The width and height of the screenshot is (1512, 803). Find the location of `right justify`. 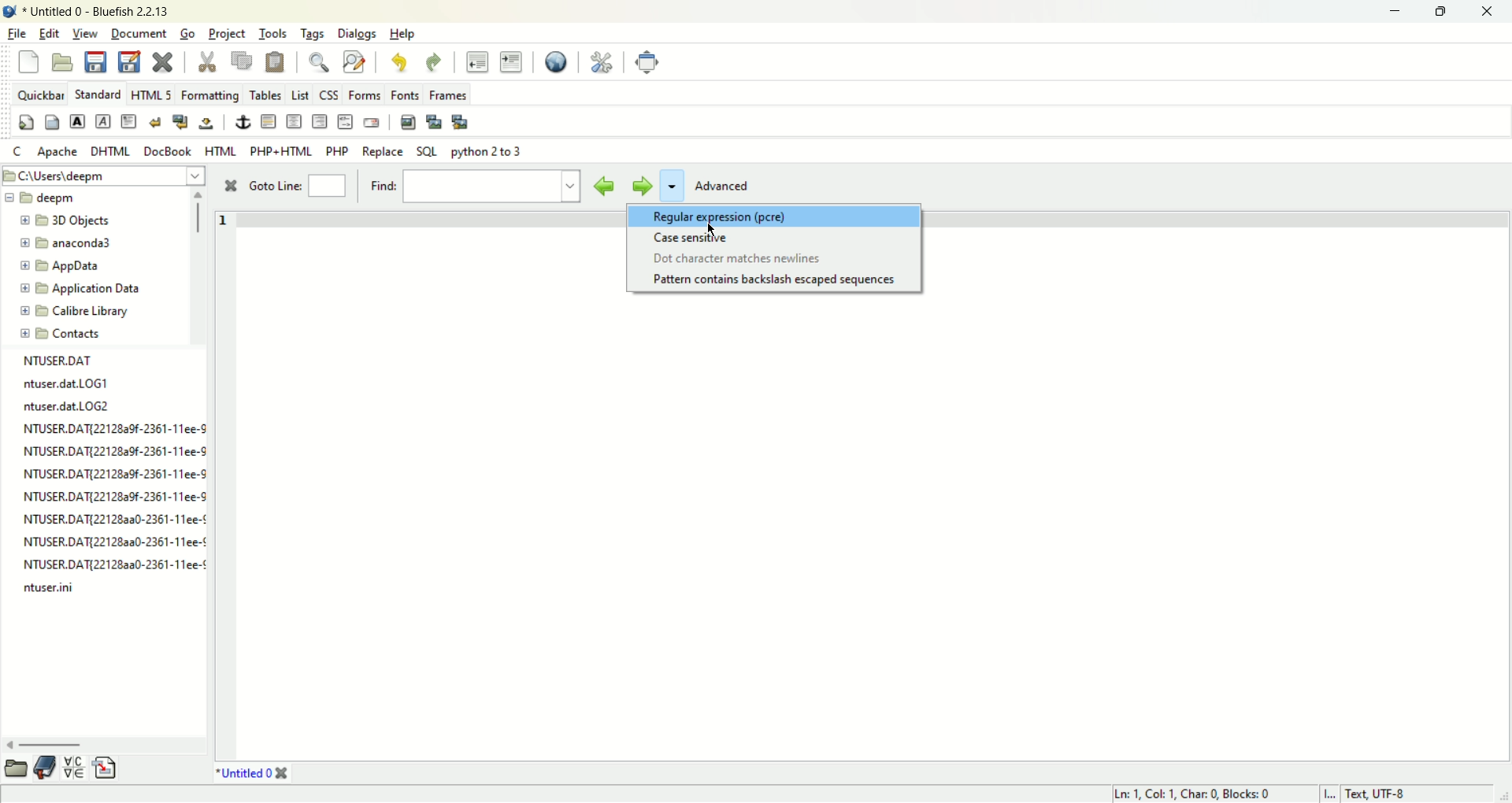

right justify is located at coordinates (318, 121).